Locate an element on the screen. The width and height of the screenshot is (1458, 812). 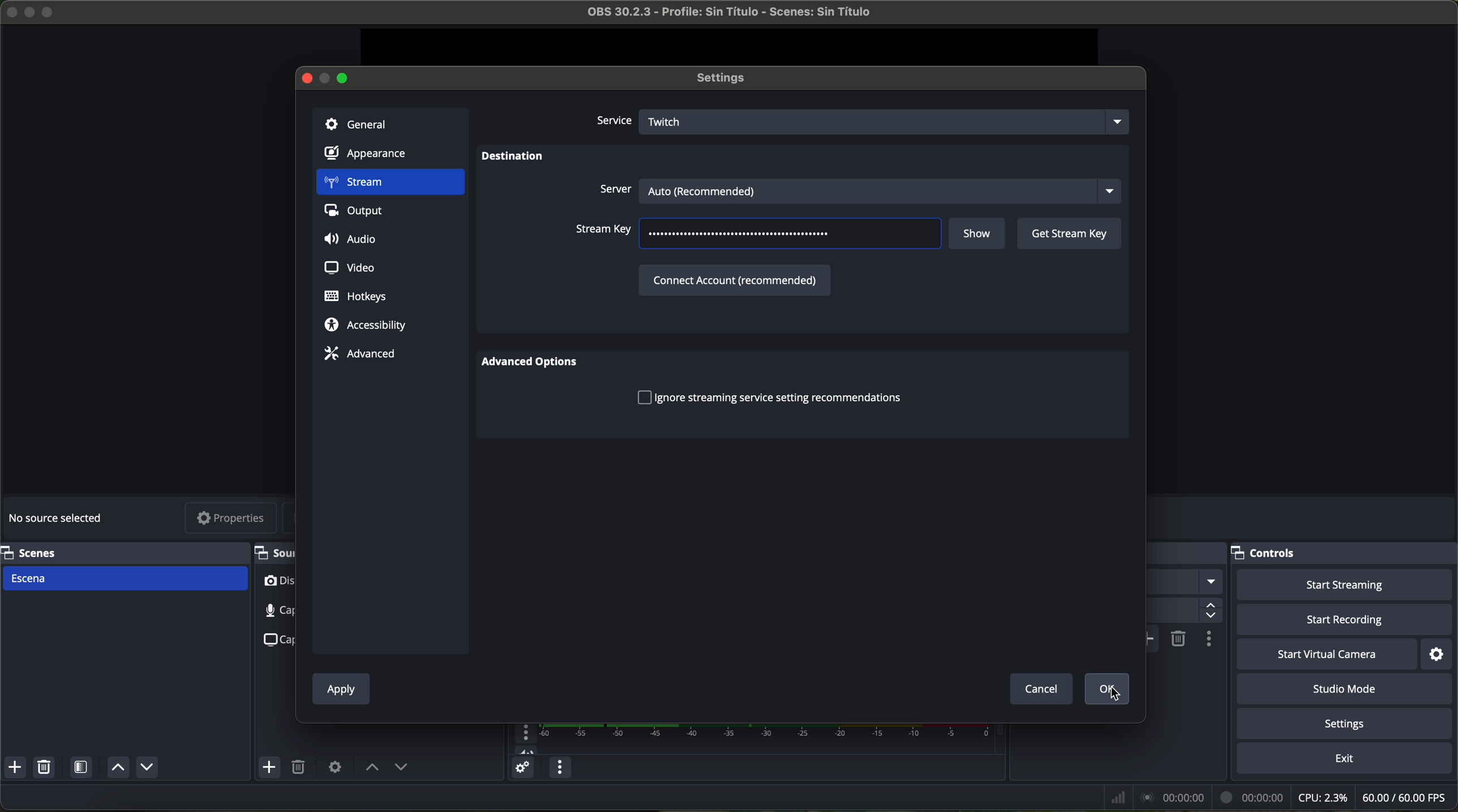
sources is located at coordinates (273, 552).